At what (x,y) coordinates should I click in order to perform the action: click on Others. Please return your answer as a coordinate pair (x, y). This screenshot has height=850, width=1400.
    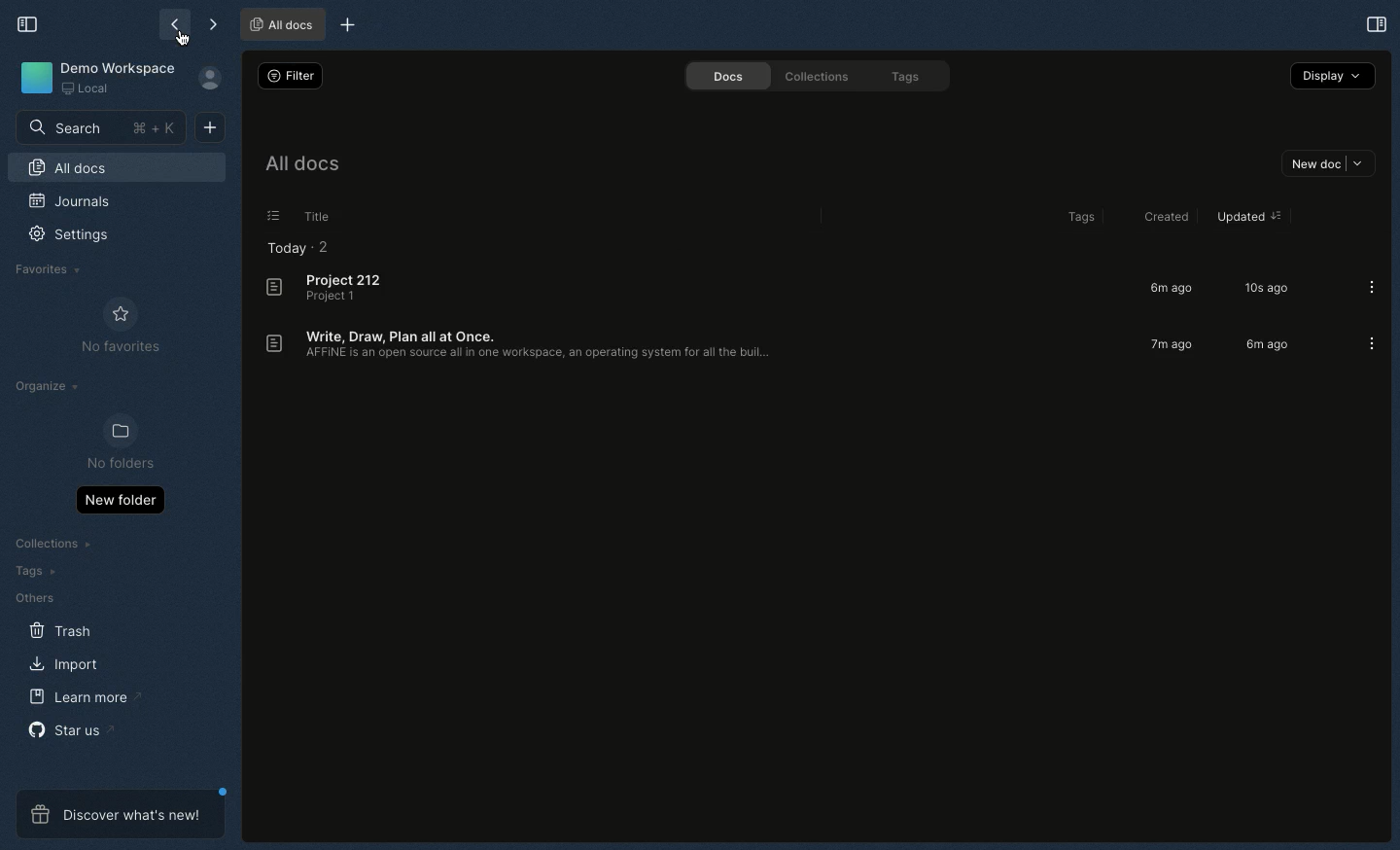
    Looking at the image, I should click on (31, 597).